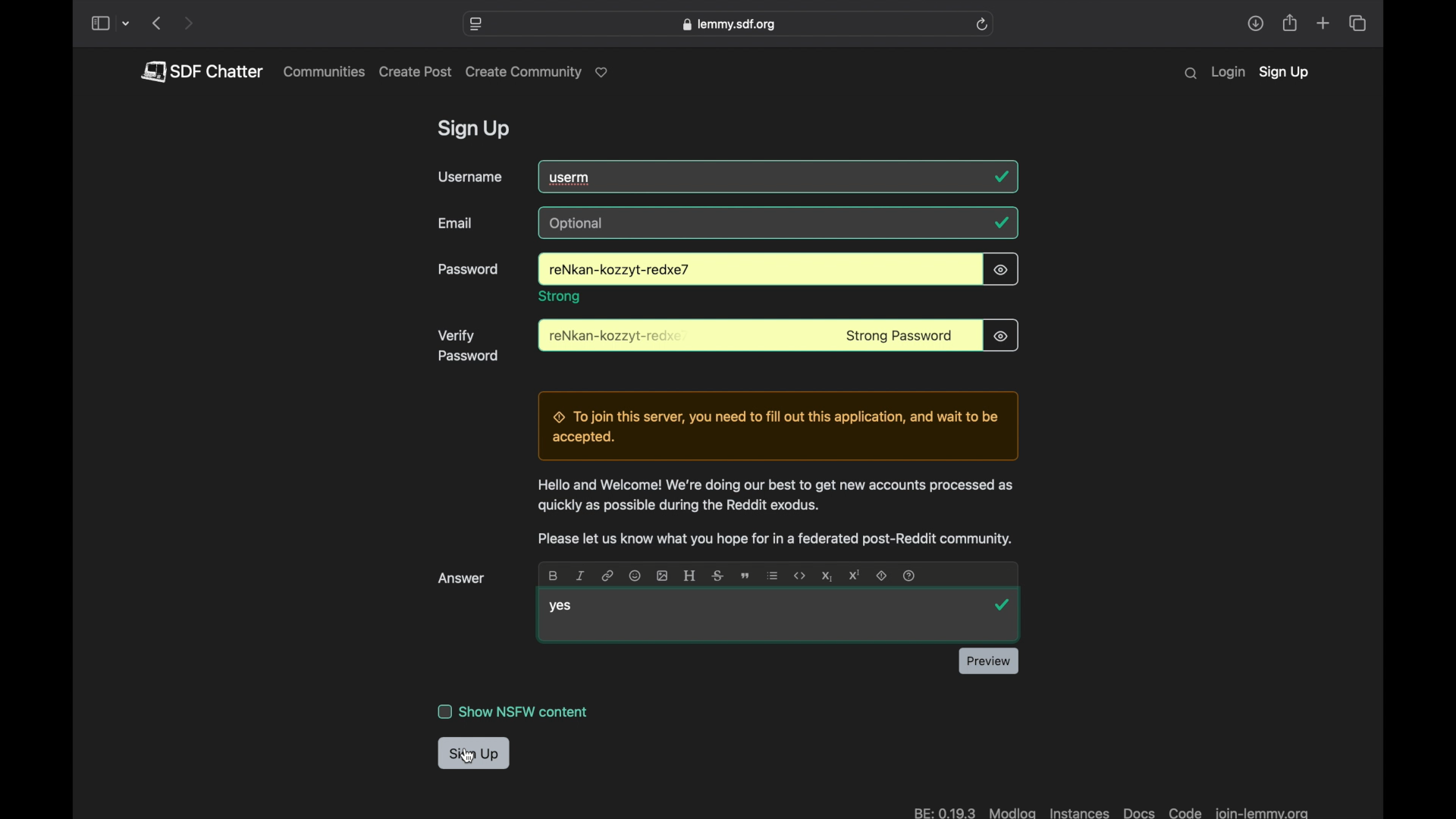  What do you see at coordinates (608, 576) in the screenshot?
I see `link` at bounding box center [608, 576].